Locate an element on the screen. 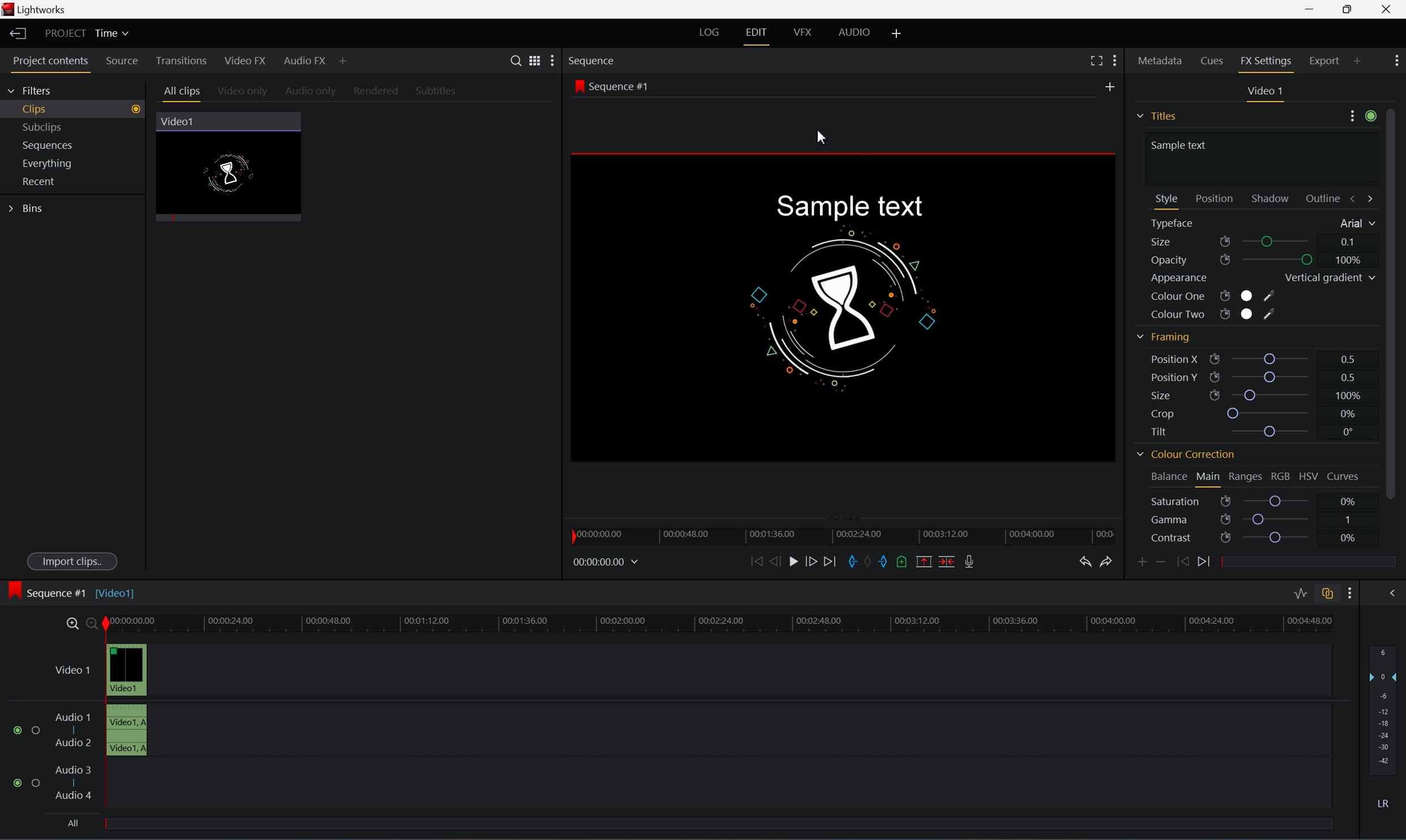  zoom in is located at coordinates (71, 623).